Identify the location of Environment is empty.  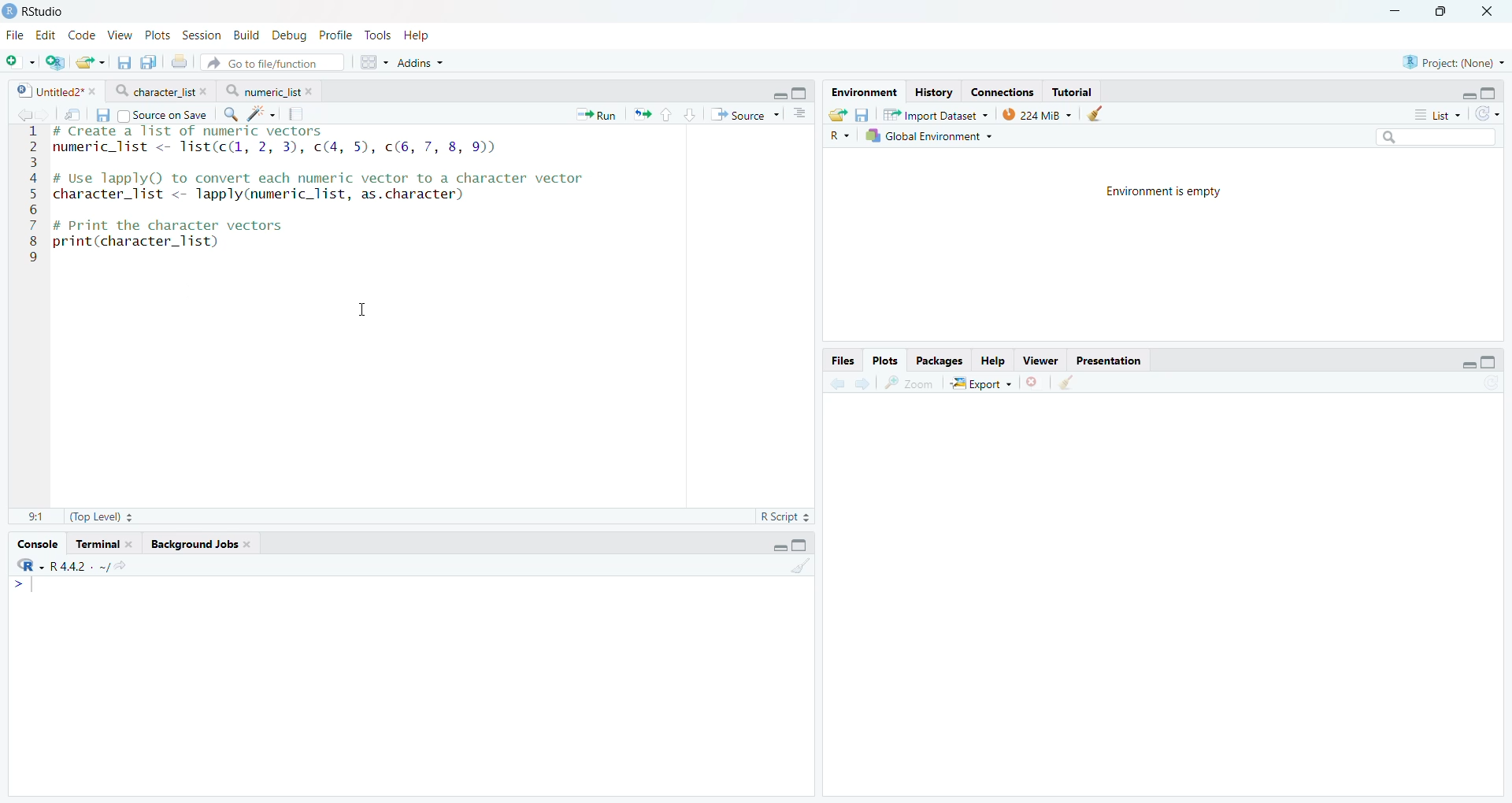
(1166, 193).